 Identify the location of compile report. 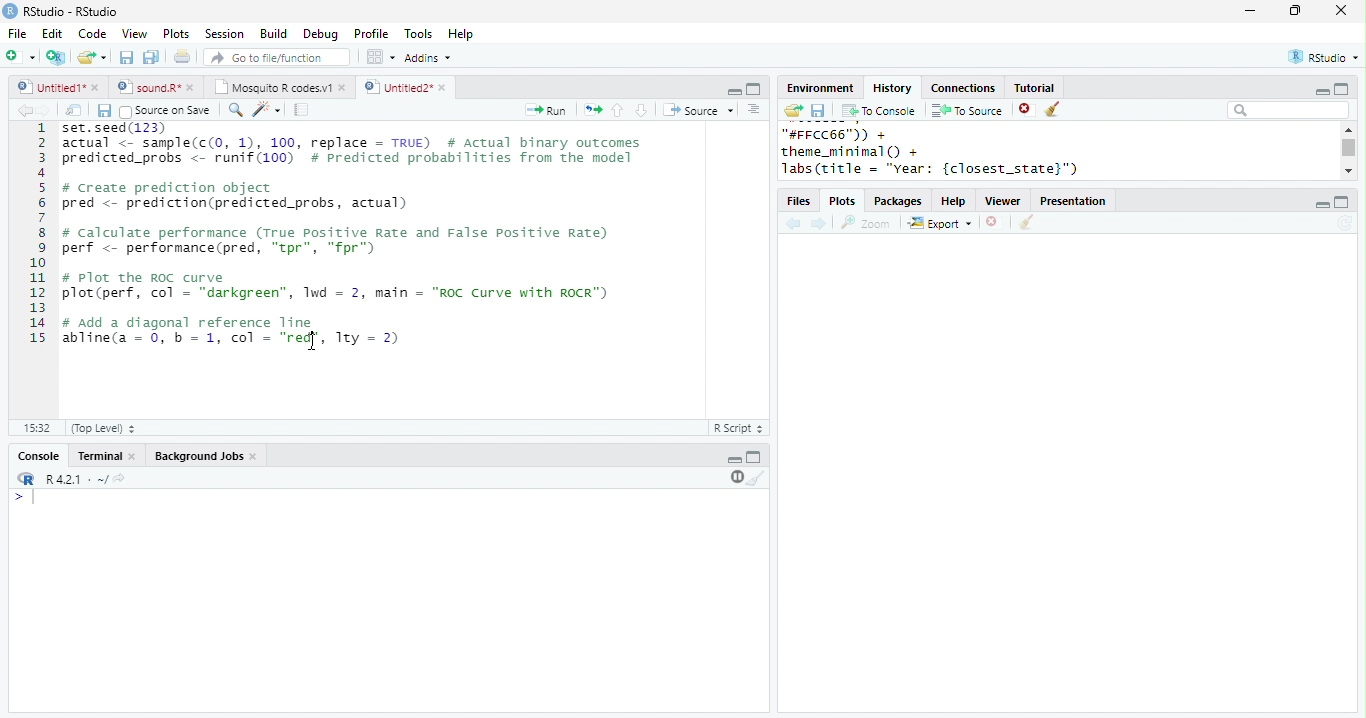
(302, 109).